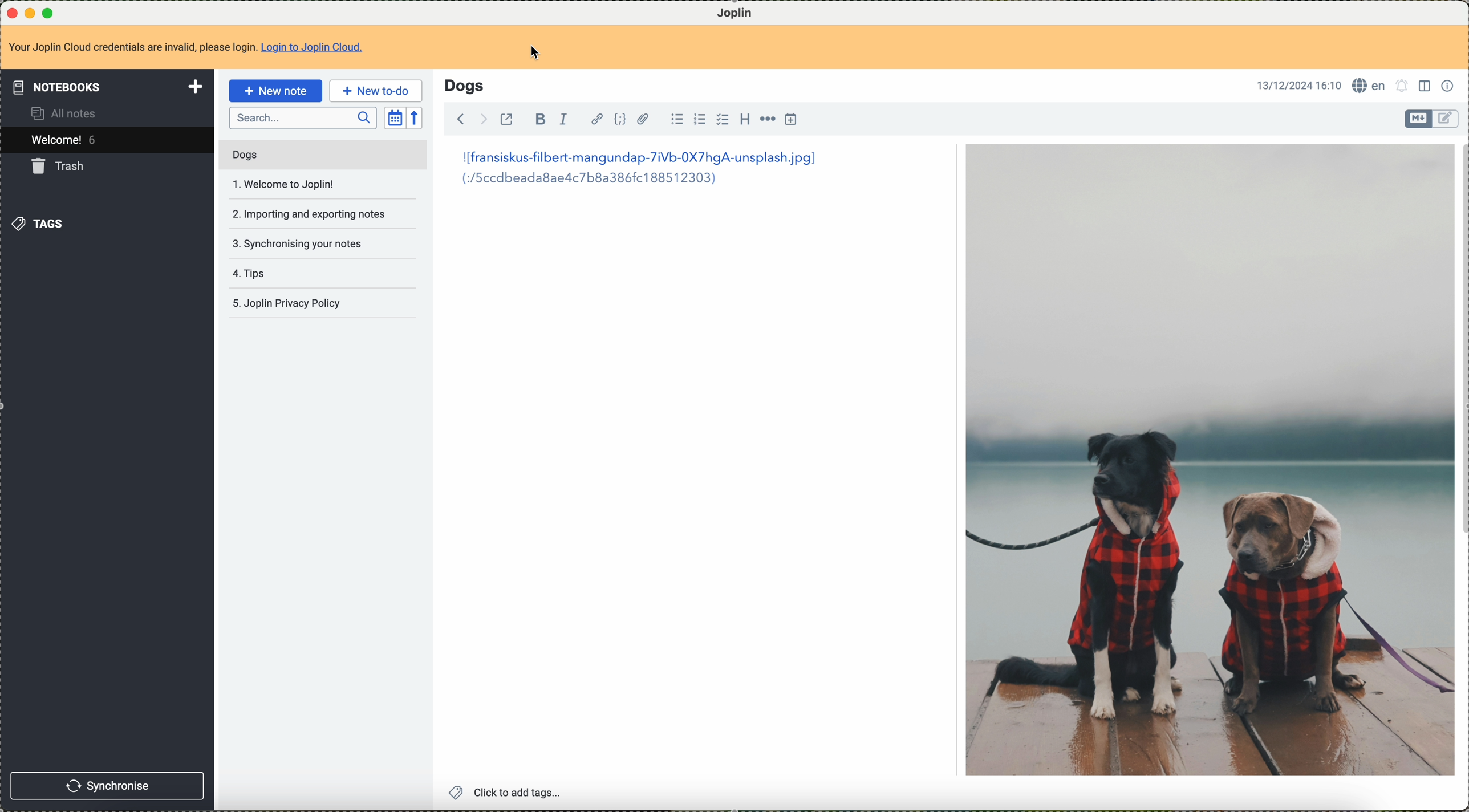  What do you see at coordinates (1402, 88) in the screenshot?
I see `set alarm` at bounding box center [1402, 88].